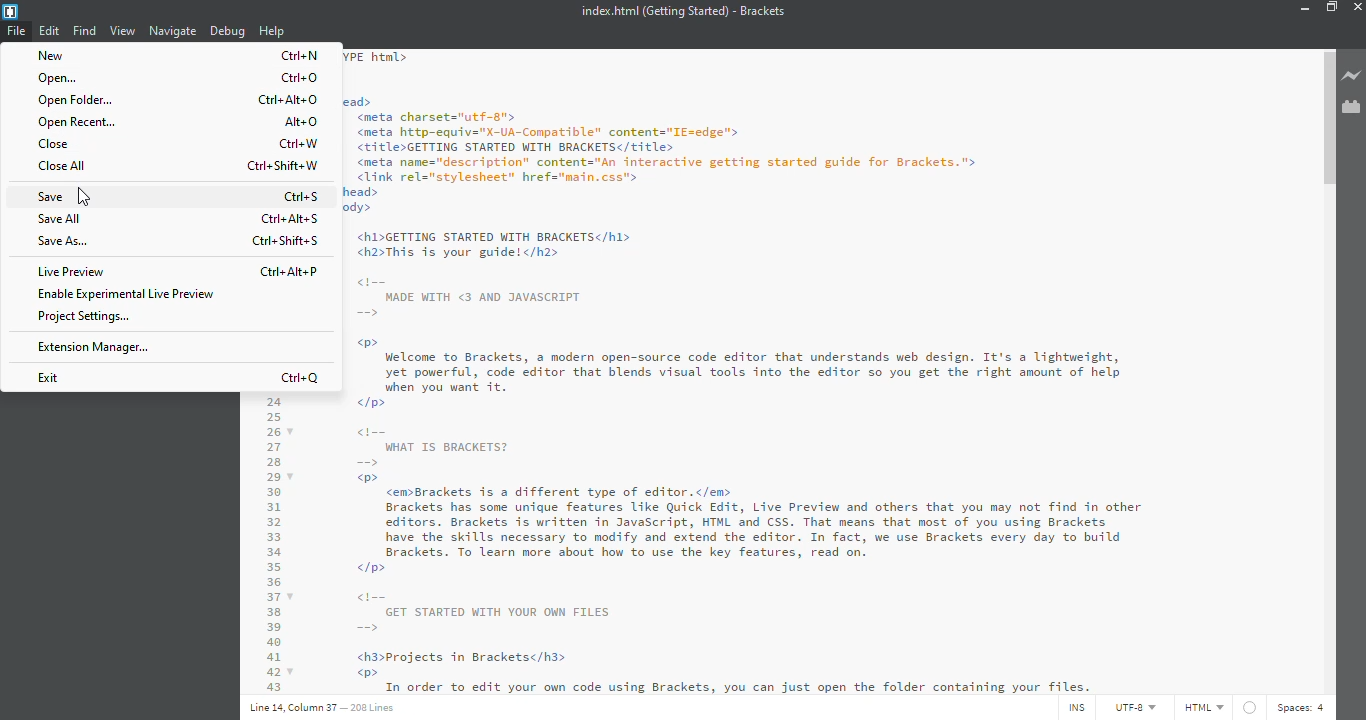 Image resolution: width=1366 pixels, height=720 pixels. Describe the element at coordinates (1135, 704) in the screenshot. I see `utf` at that location.